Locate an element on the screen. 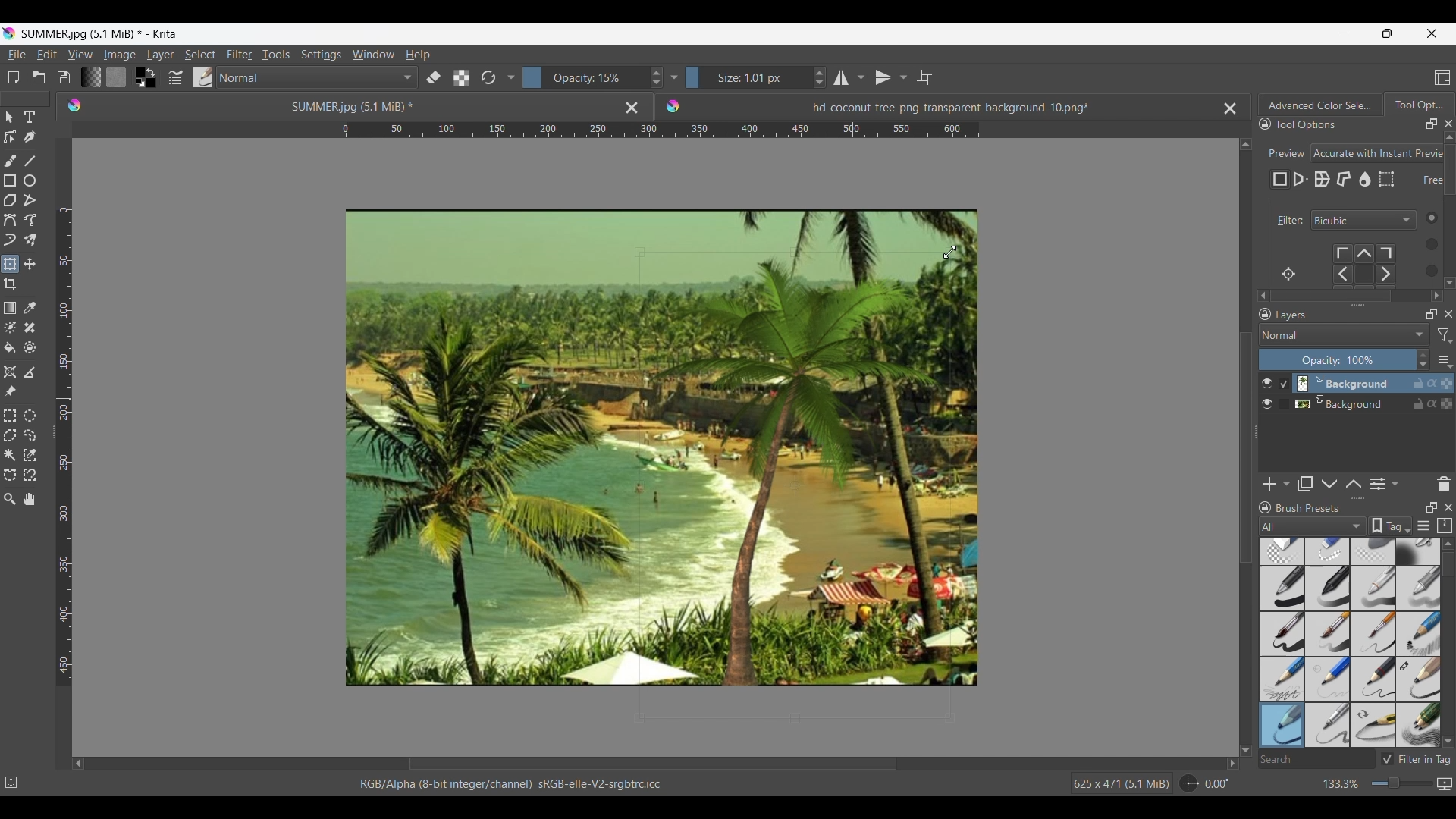 This screenshot has height=819, width=1456. Vertical flip options is located at coordinates (883, 77).